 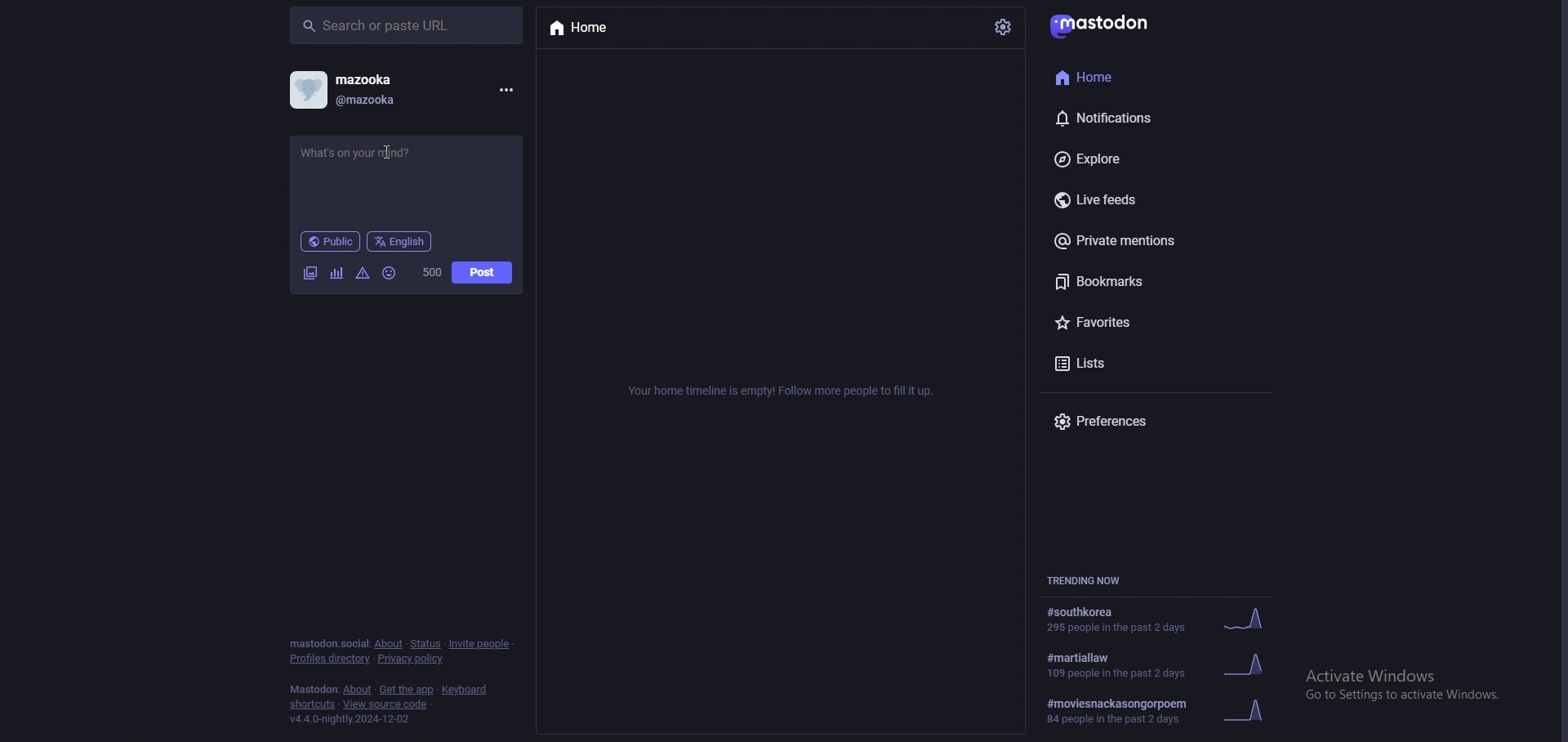 I want to click on home, so click(x=584, y=27).